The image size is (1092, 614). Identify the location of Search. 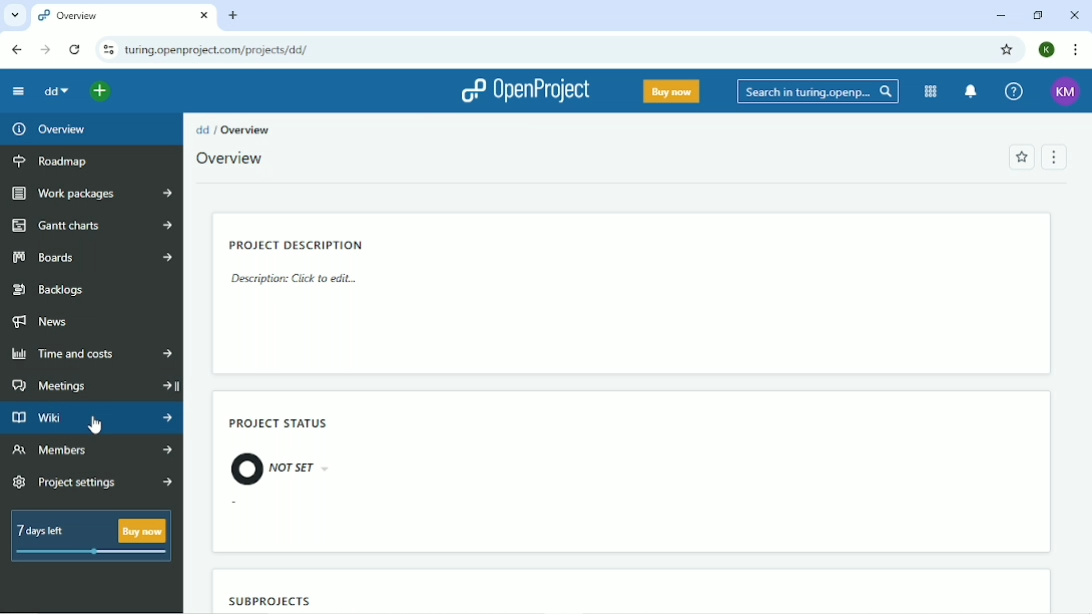
(819, 91).